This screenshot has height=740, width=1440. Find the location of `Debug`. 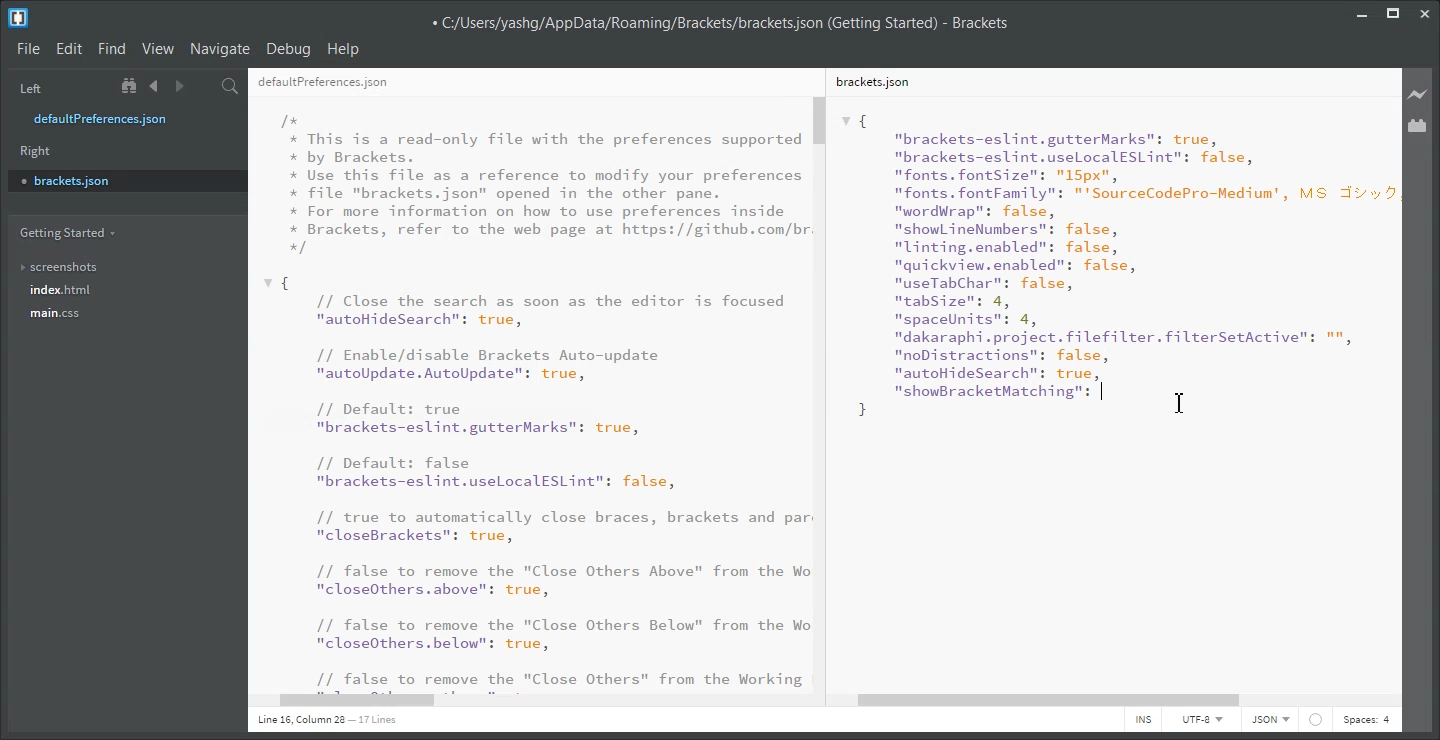

Debug is located at coordinates (289, 50).